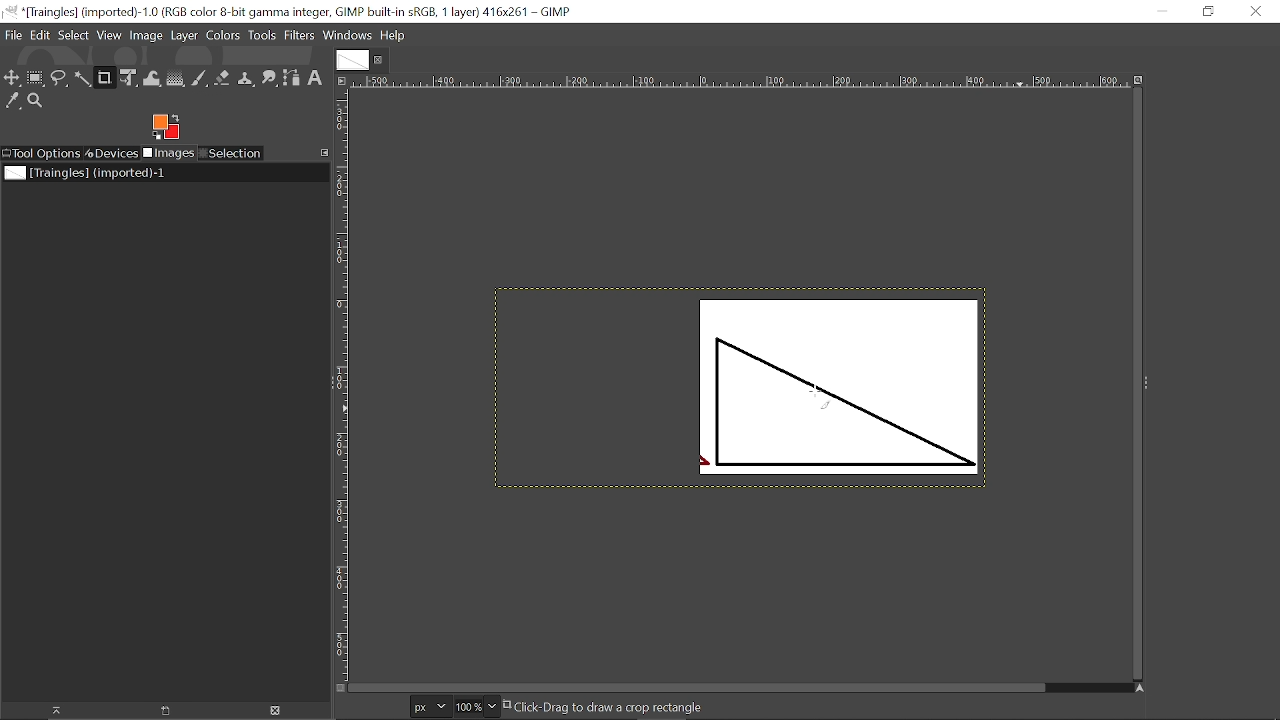  What do you see at coordinates (281, 711) in the screenshot?
I see `Delete image` at bounding box center [281, 711].